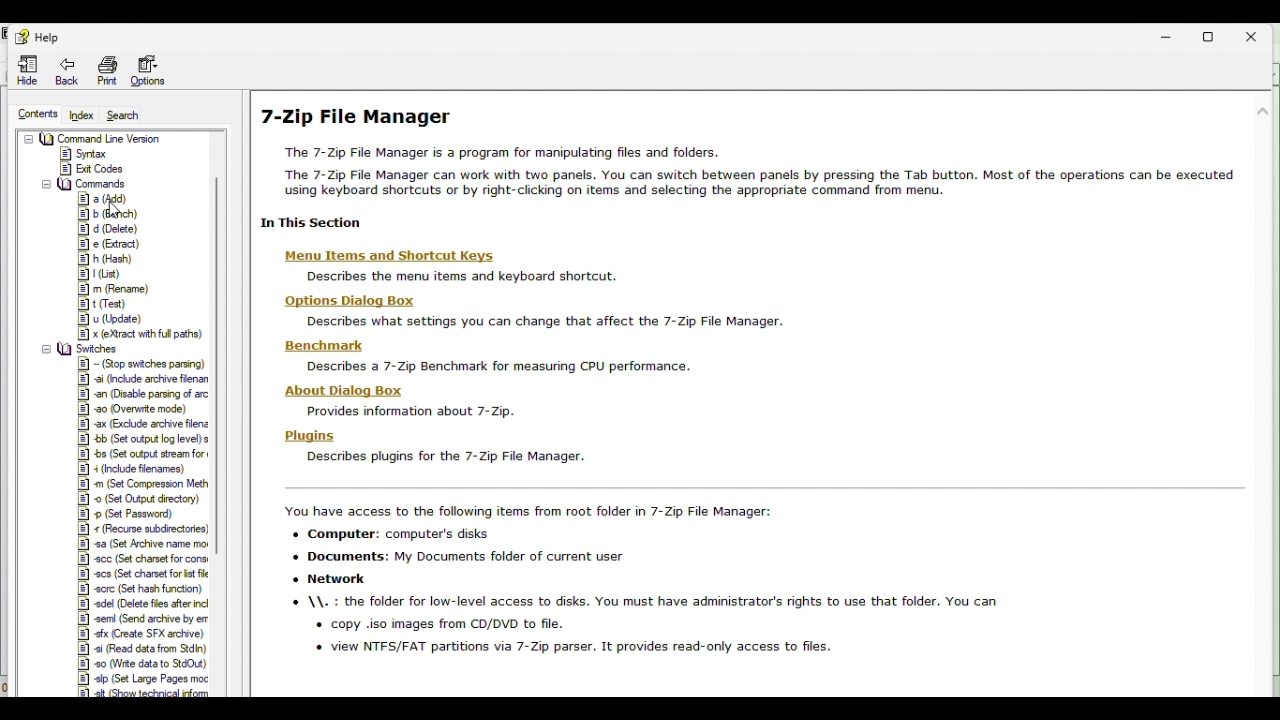  What do you see at coordinates (146, 559) in the screenshot?
I see `-acc` at bounding box center [146, 559].